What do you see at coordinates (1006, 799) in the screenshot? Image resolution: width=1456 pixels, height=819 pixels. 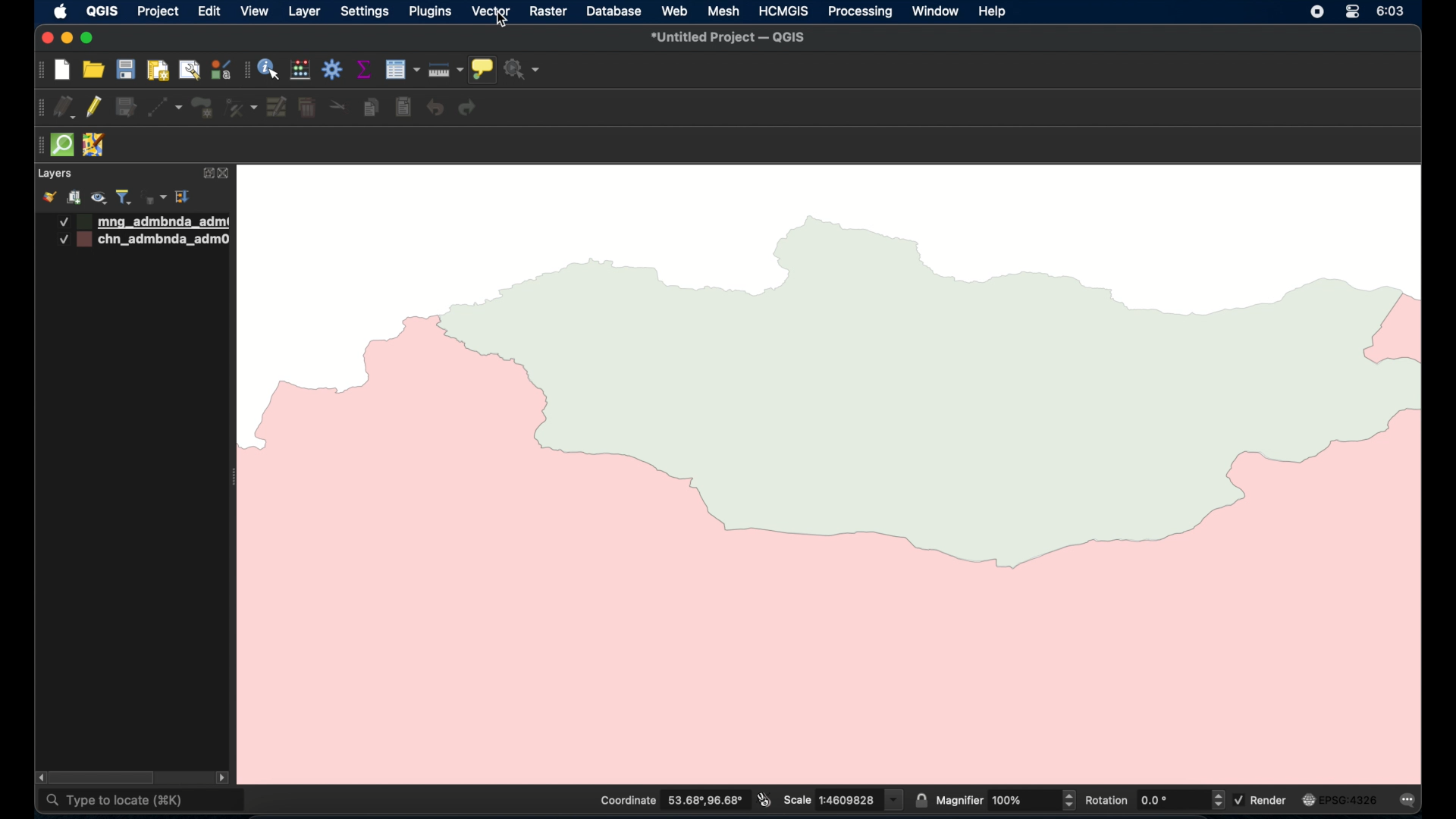 I see `magnifier` at bounding box center [1006, 799].